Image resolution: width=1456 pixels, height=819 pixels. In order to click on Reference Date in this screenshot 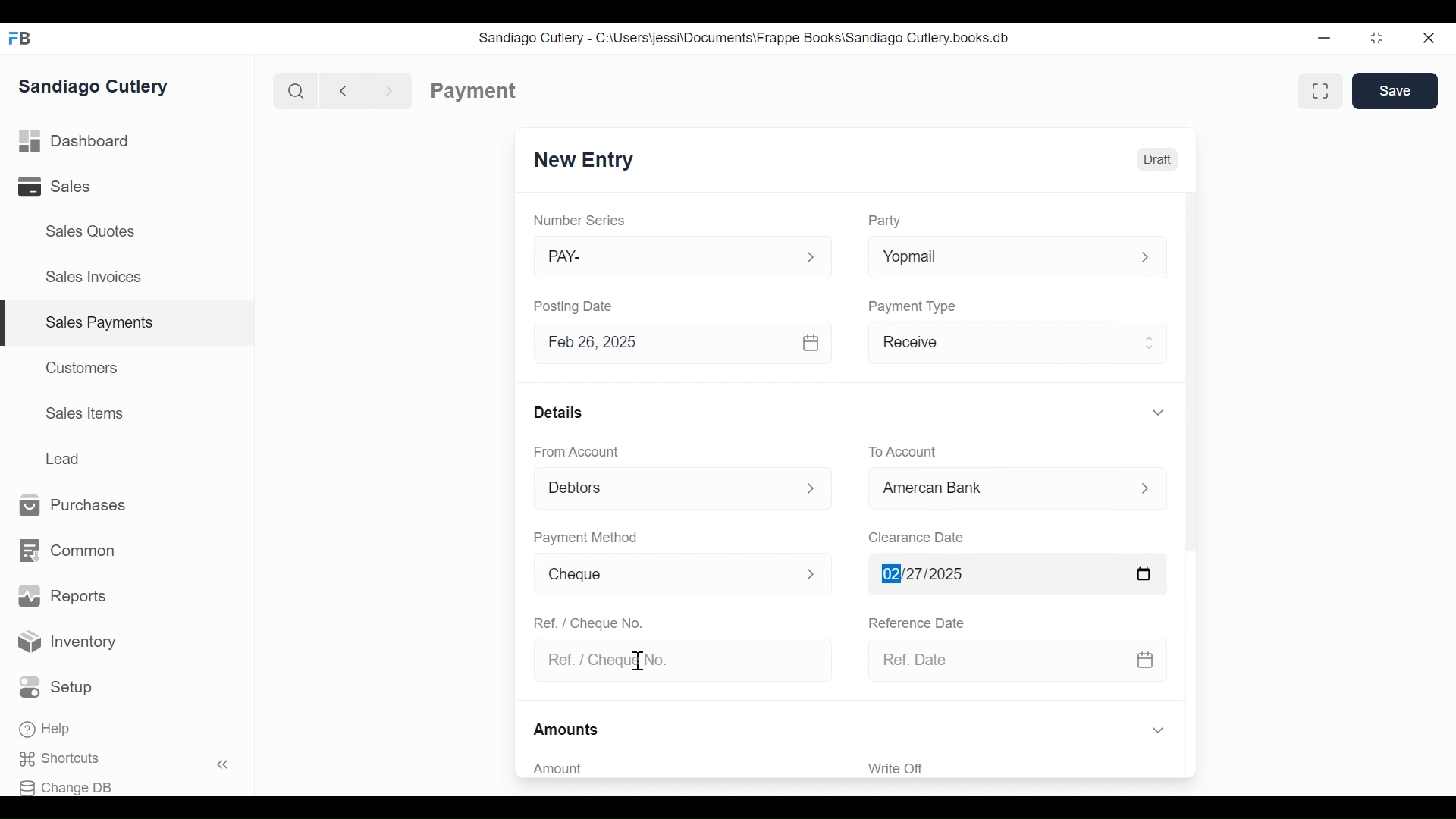, I will do `click(915, 621)`.